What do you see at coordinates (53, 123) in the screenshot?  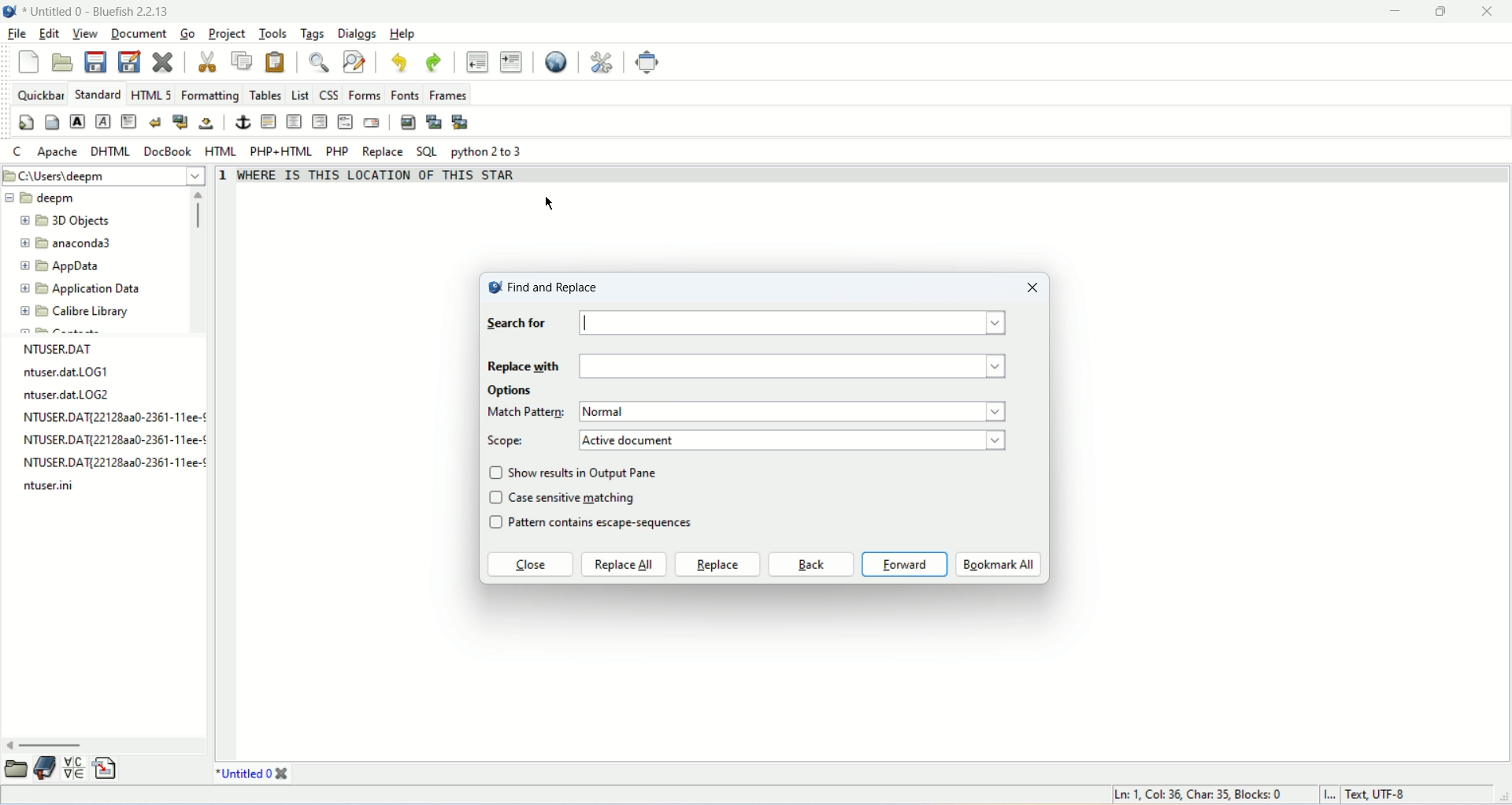 I see `body` at bounding box center [53, 123].